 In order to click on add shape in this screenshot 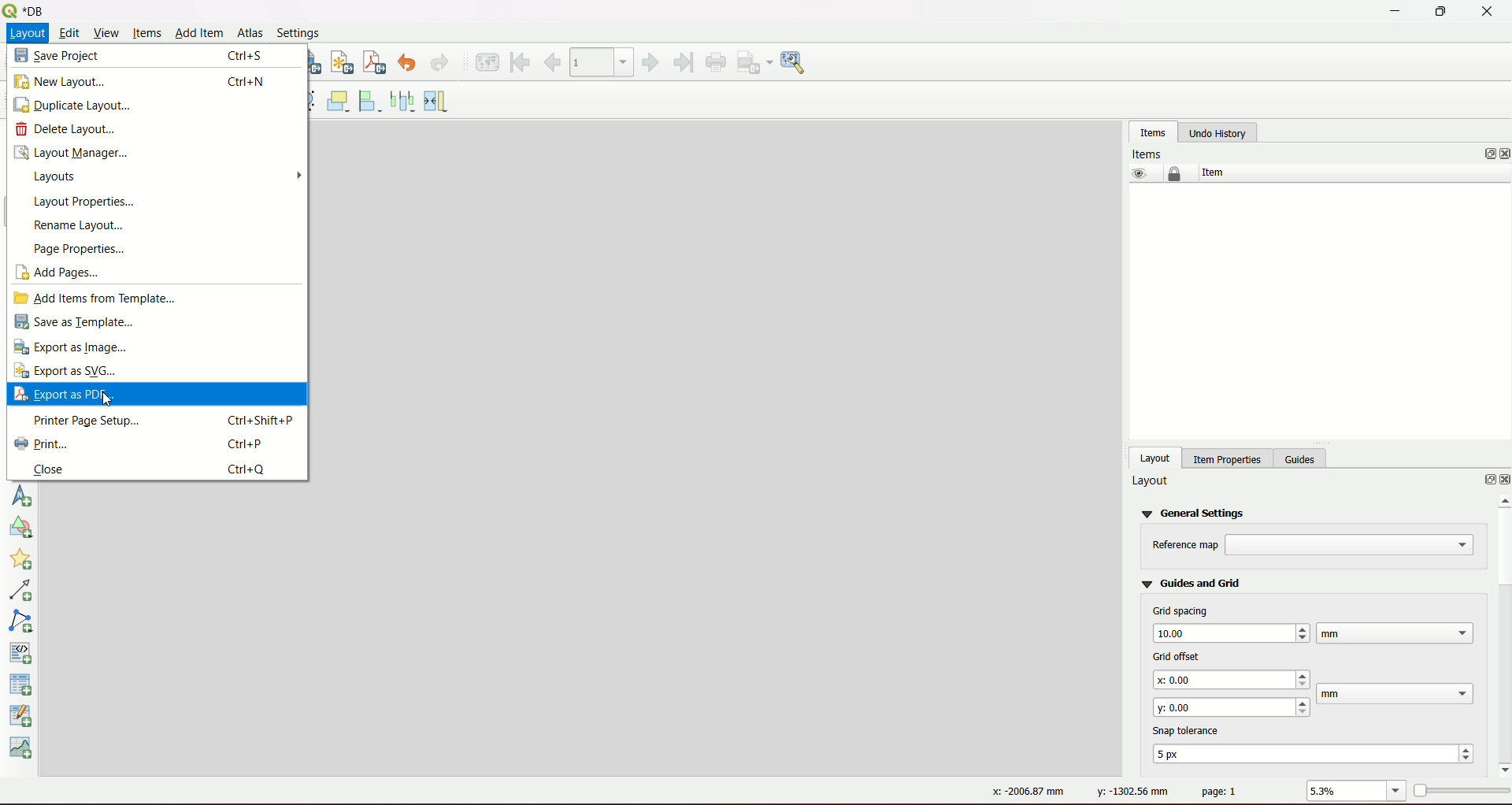, I will do `click(19, 530)`.